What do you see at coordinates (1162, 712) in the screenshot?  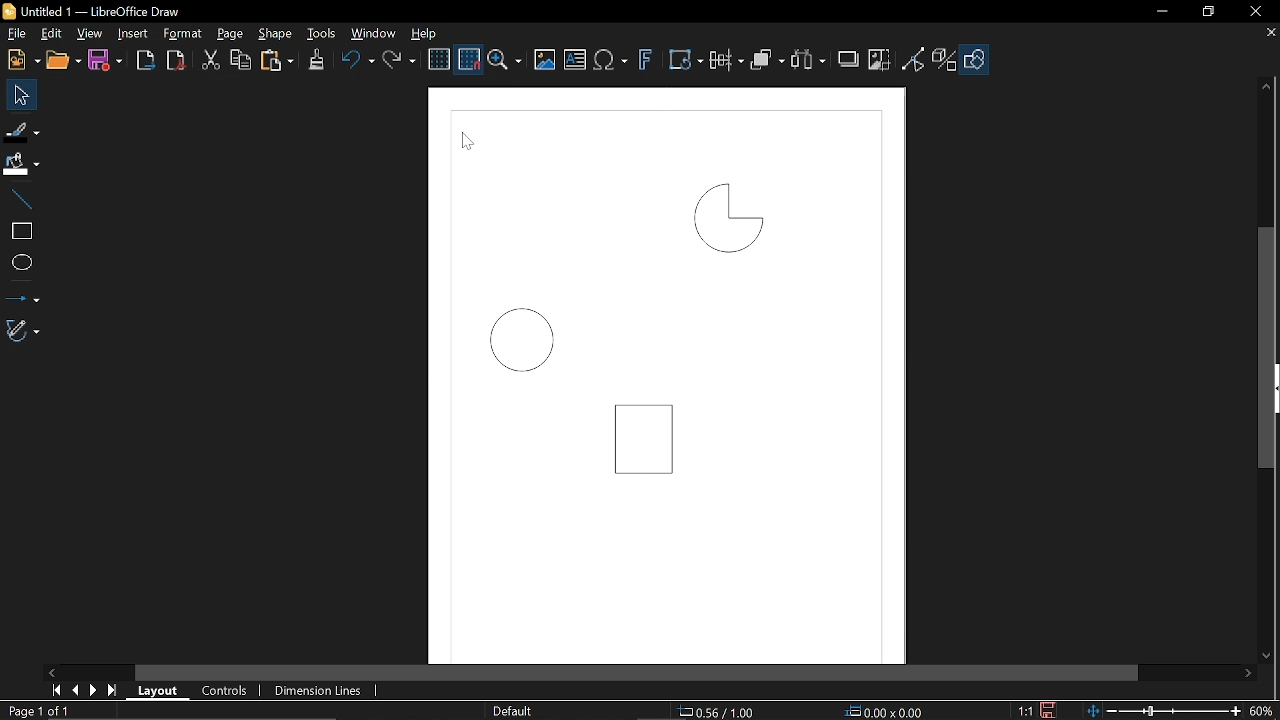 I see `Change zoom` at bounding box center [1162, 712].